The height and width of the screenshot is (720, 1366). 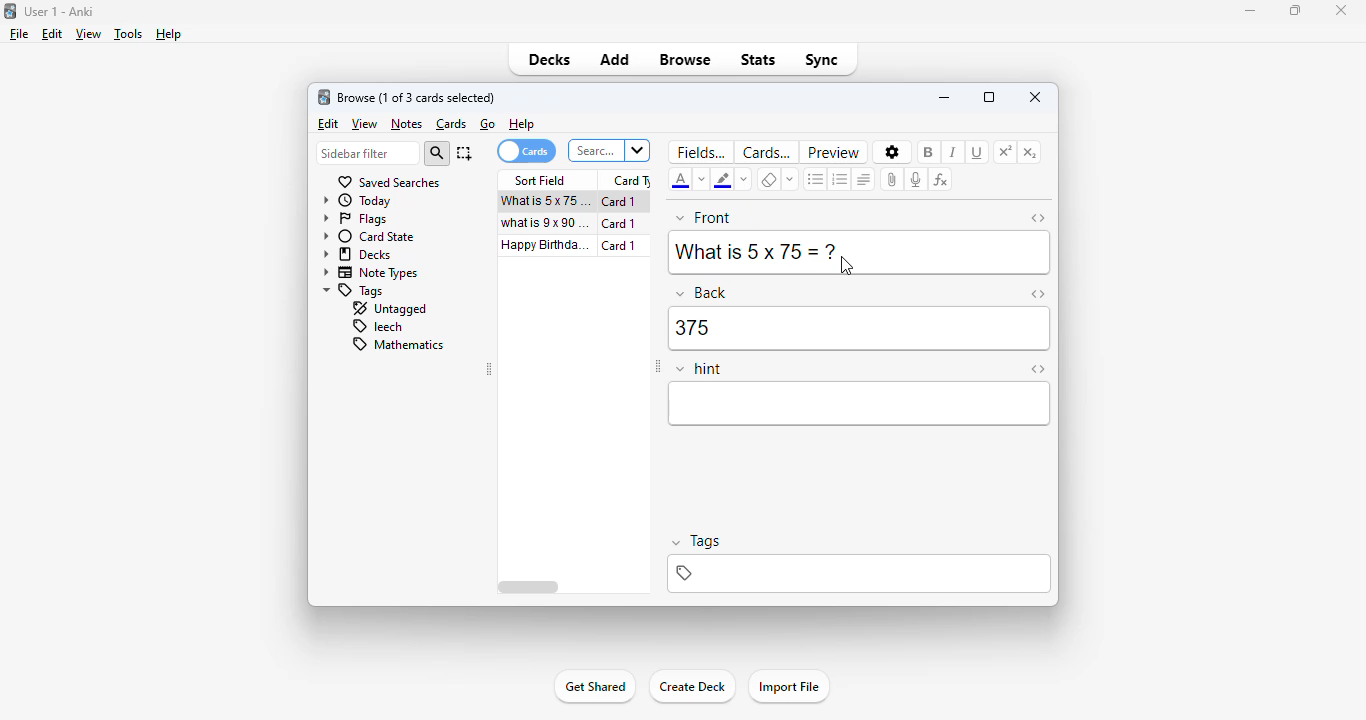 What do you see at coordinates (686, 59) in the screenshot?
I see `browse` at bounding box center [686, 59].